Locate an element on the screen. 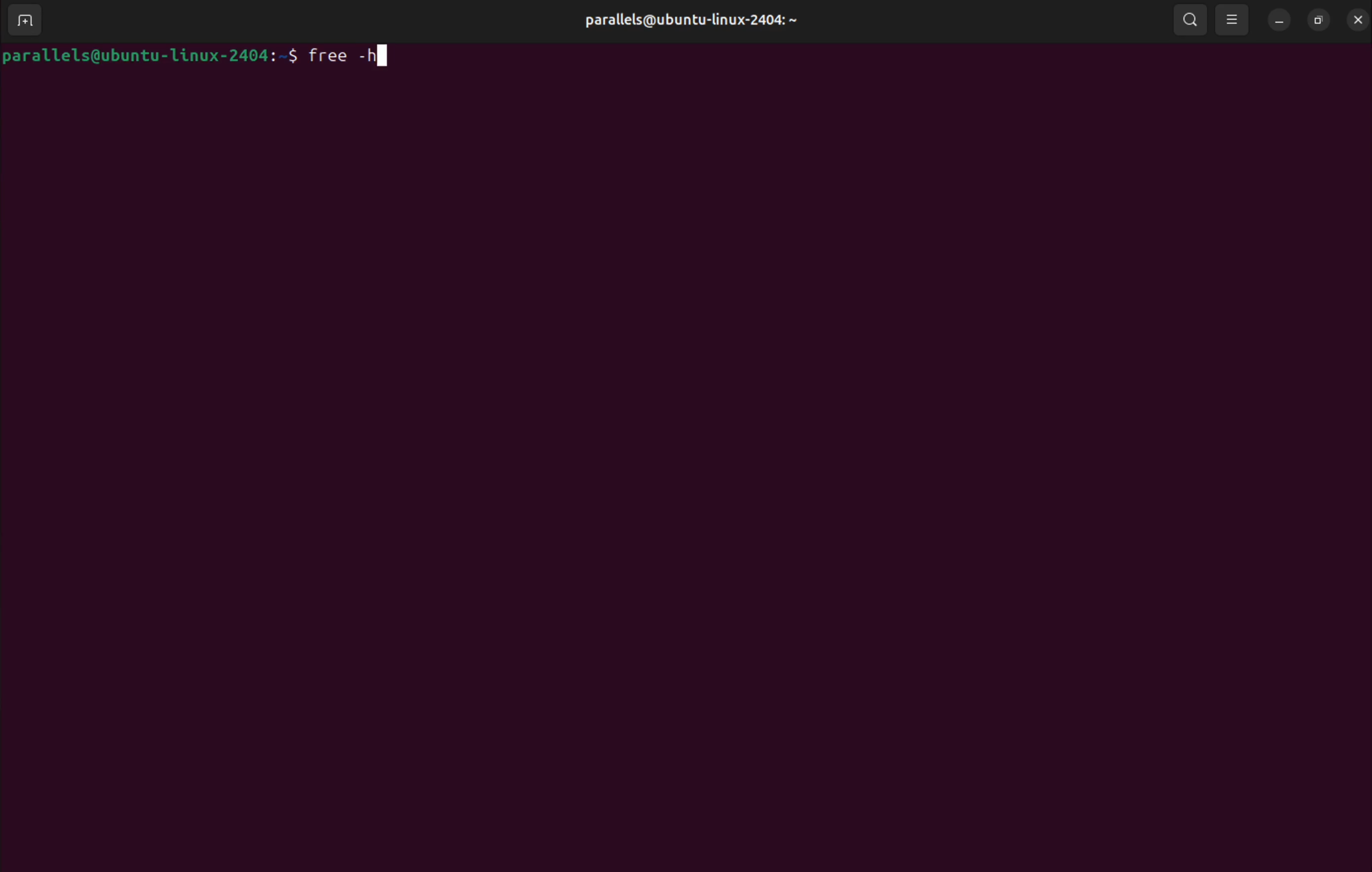 The width and height of the screenshot is (1372, 872). minimize is located at coordinates (1279, 21).